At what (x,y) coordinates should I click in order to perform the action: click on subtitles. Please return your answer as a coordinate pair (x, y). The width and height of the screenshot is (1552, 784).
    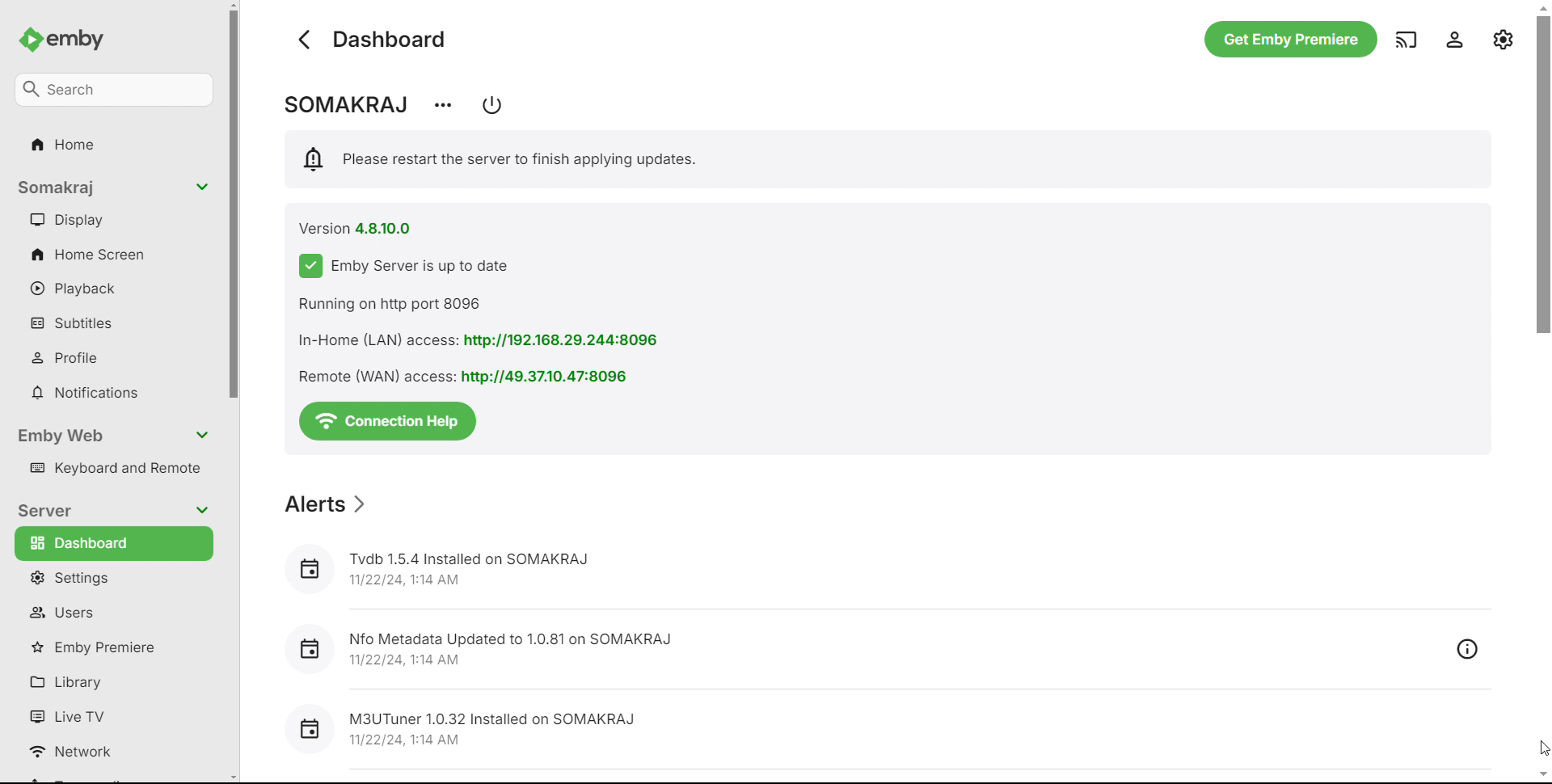
    Looking at the image, I should click on (115, 322).